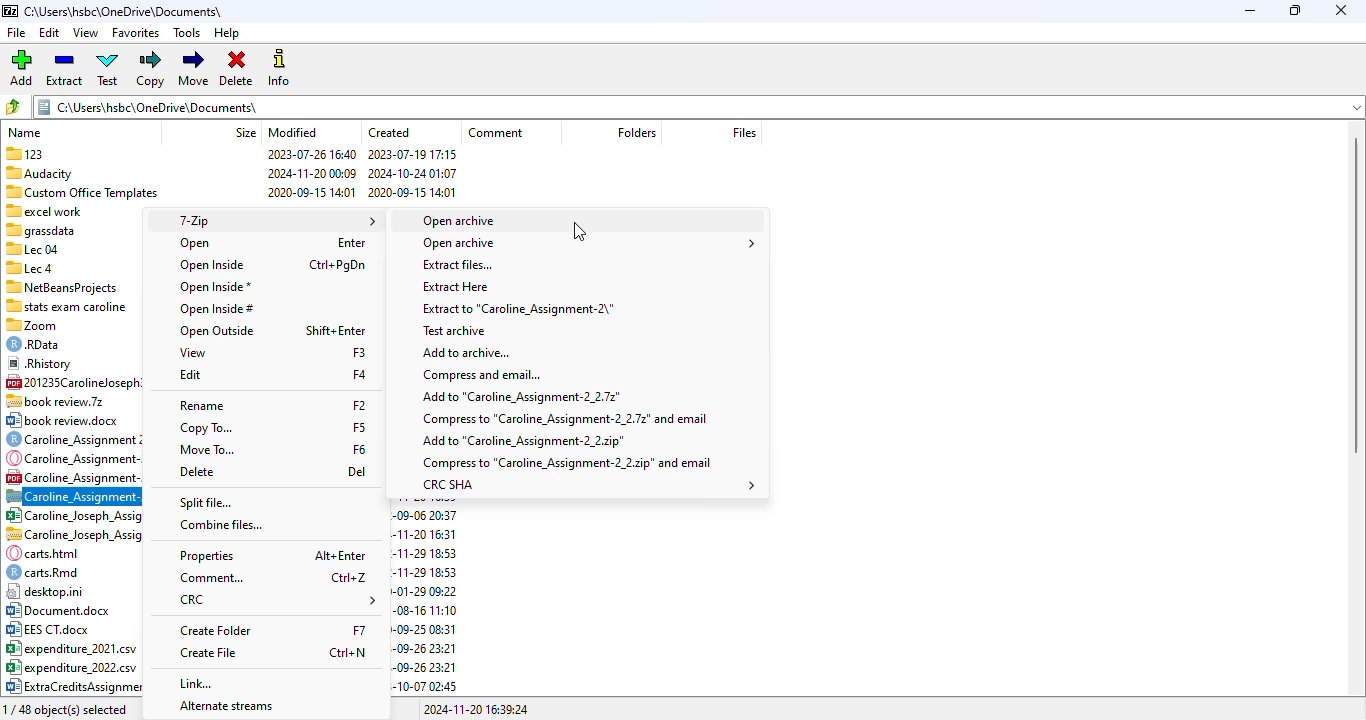  Describe the element at coordinates (123, 11) in the screenshot. I see `folder` at that location.